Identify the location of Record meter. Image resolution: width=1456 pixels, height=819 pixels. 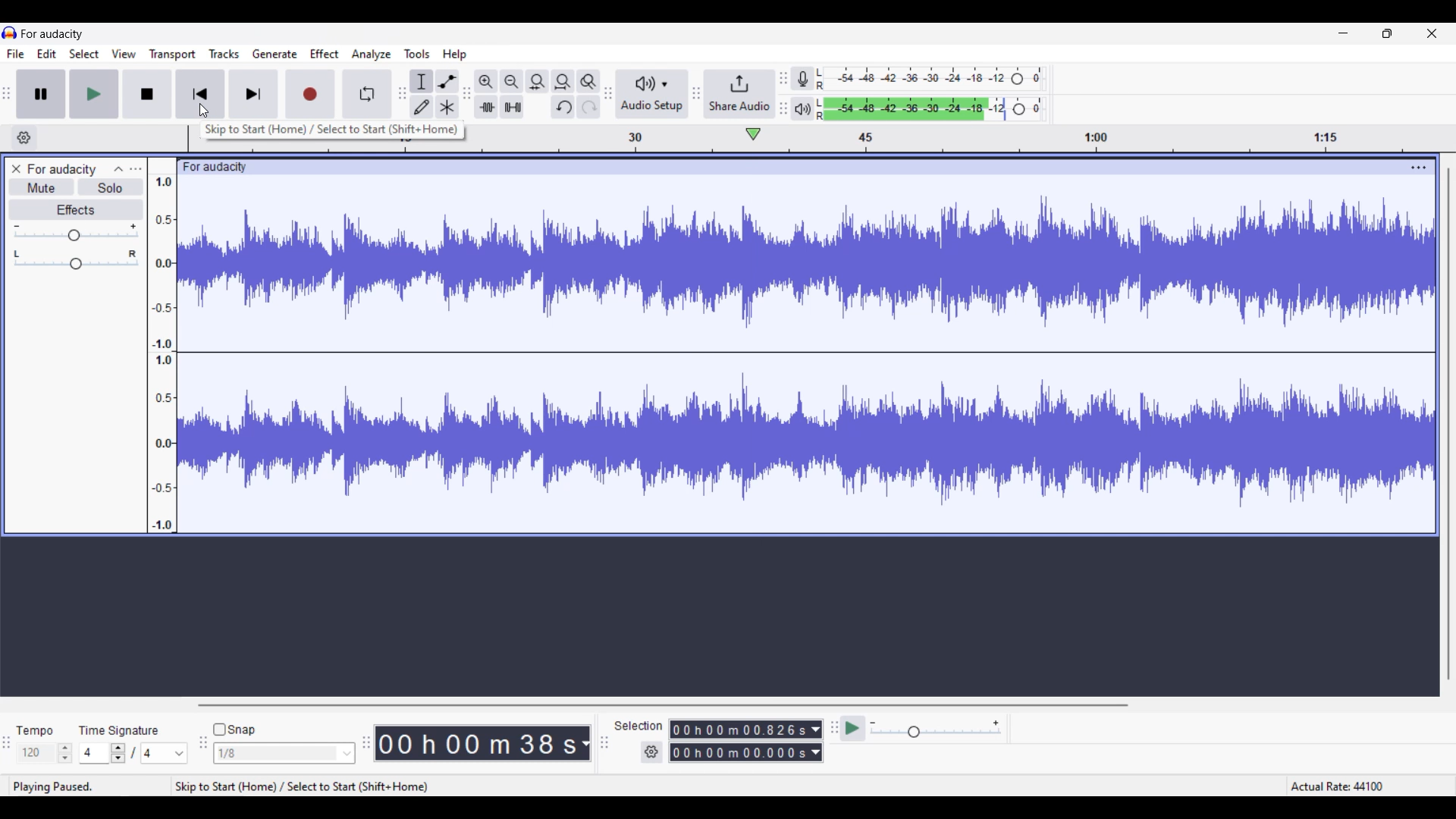
(802, 78).